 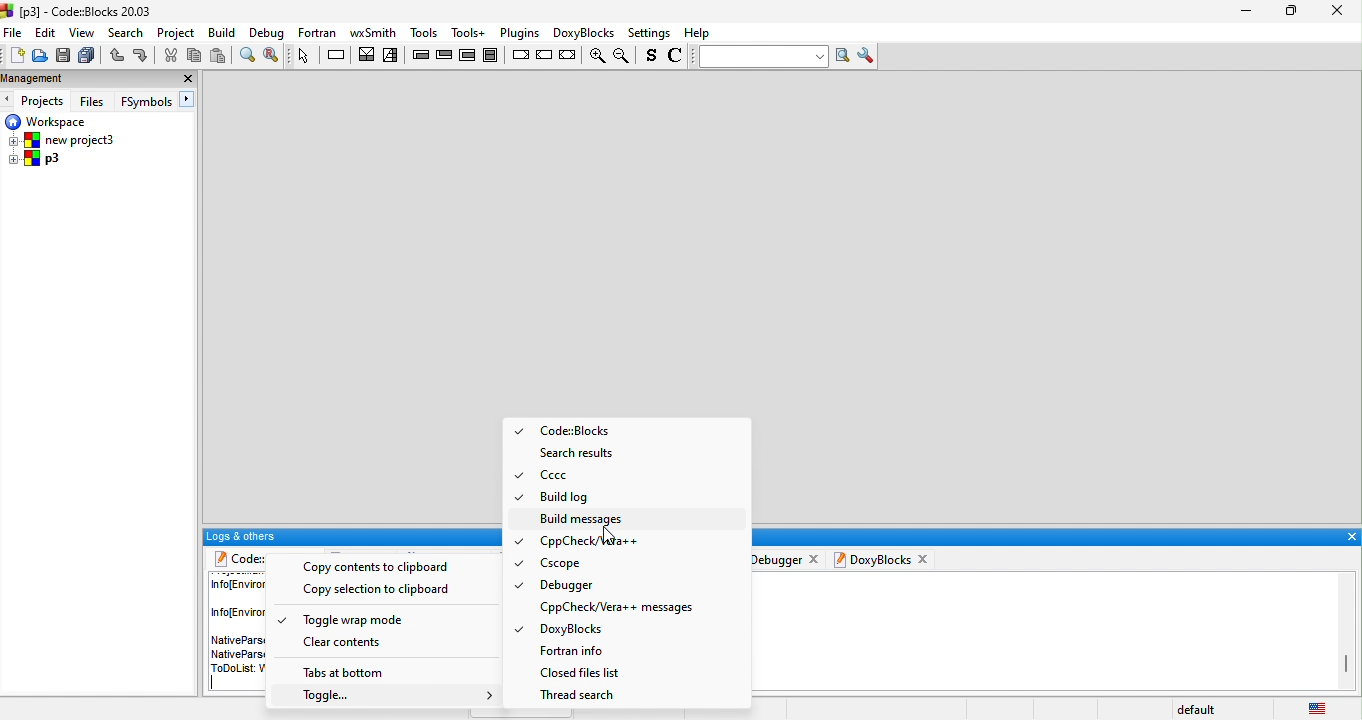 What do you see at coordinates (39, 57) in the screenshot?
I see `open` at bounding box center [39, 57].